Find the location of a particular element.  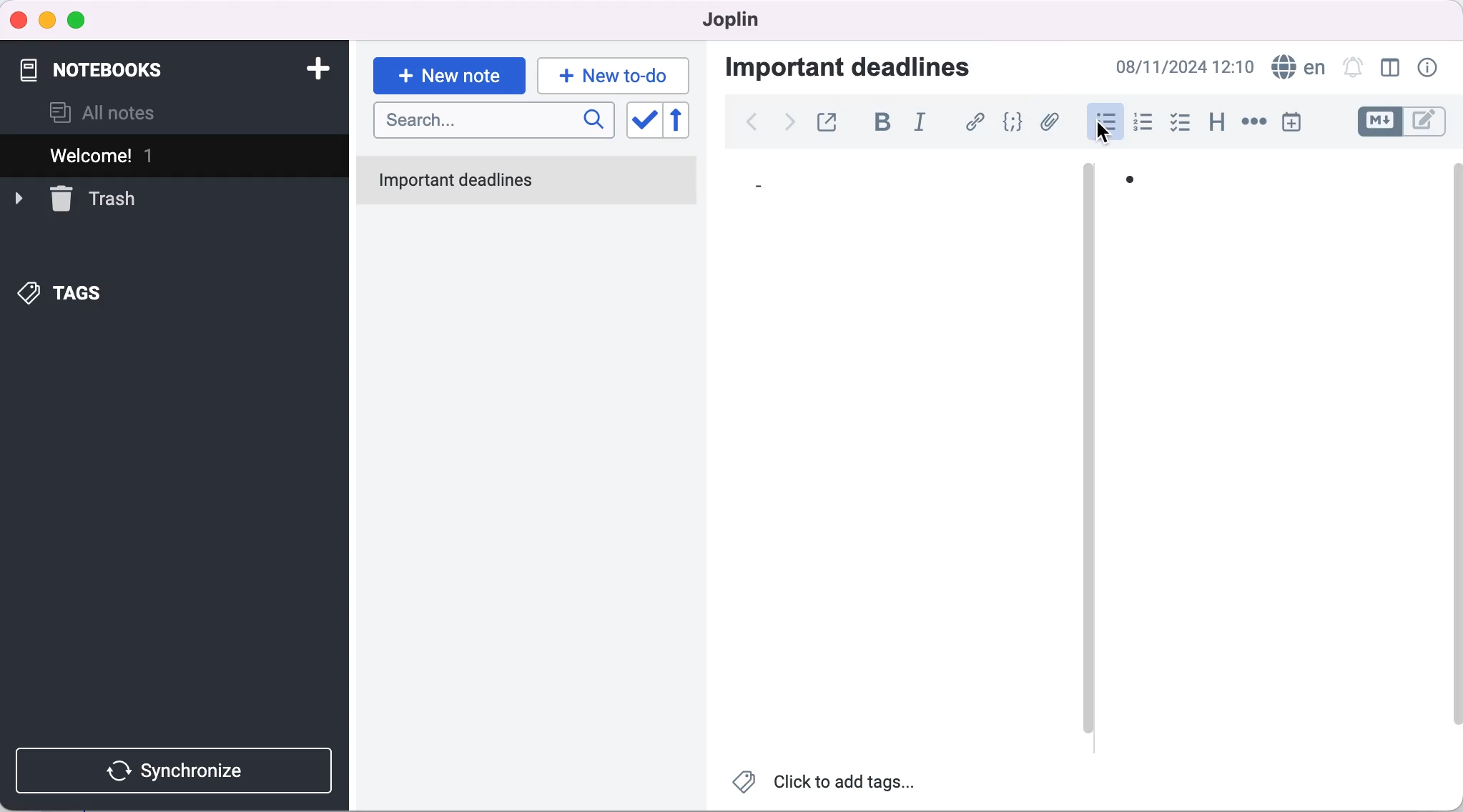

Cursor is located at coordinates (1101, 134).